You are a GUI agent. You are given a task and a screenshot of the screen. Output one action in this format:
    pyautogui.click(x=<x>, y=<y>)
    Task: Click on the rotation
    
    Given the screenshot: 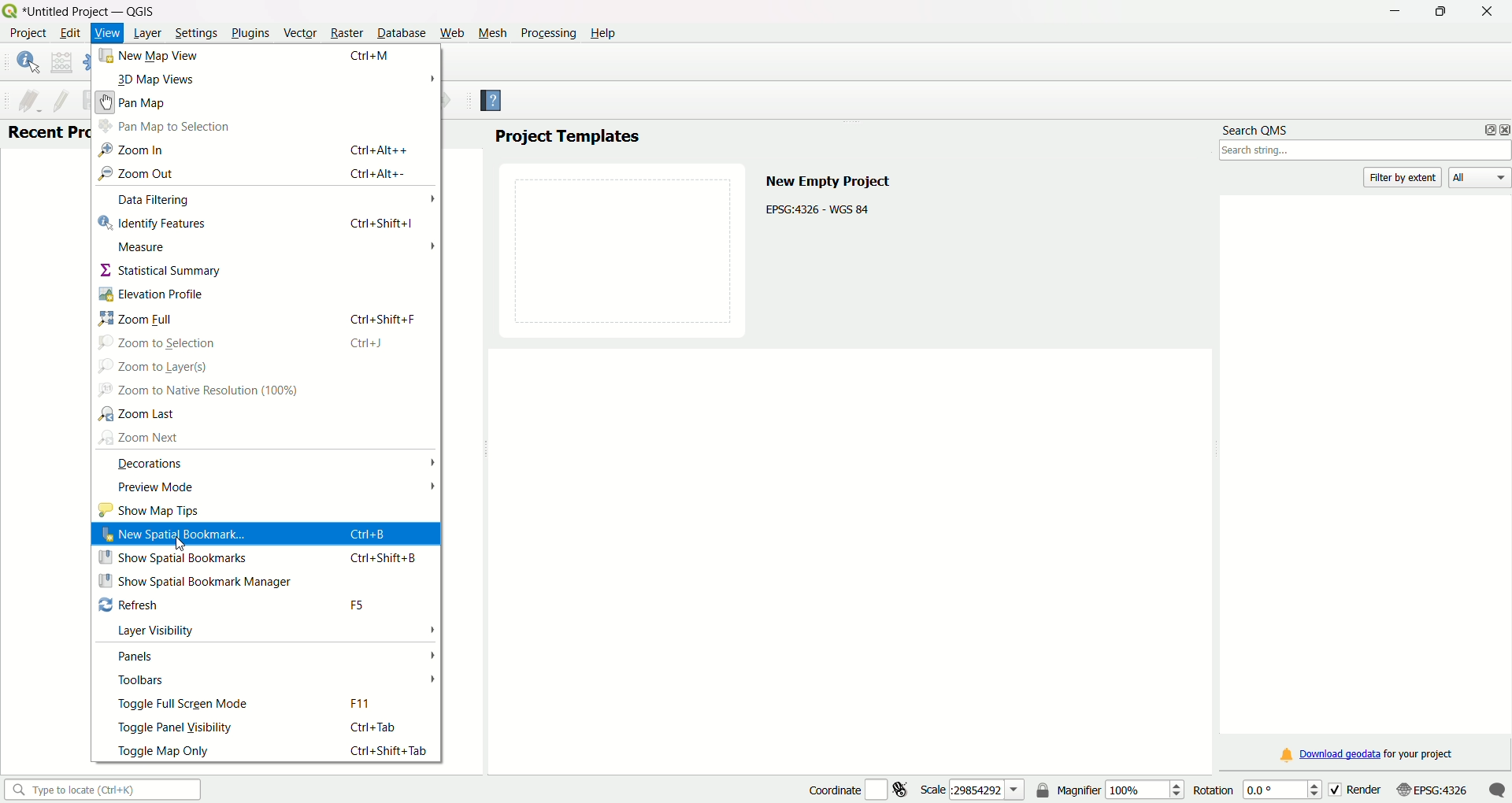 What is the action you would take?
    pyautogui.click(x=1252, y=789)
    